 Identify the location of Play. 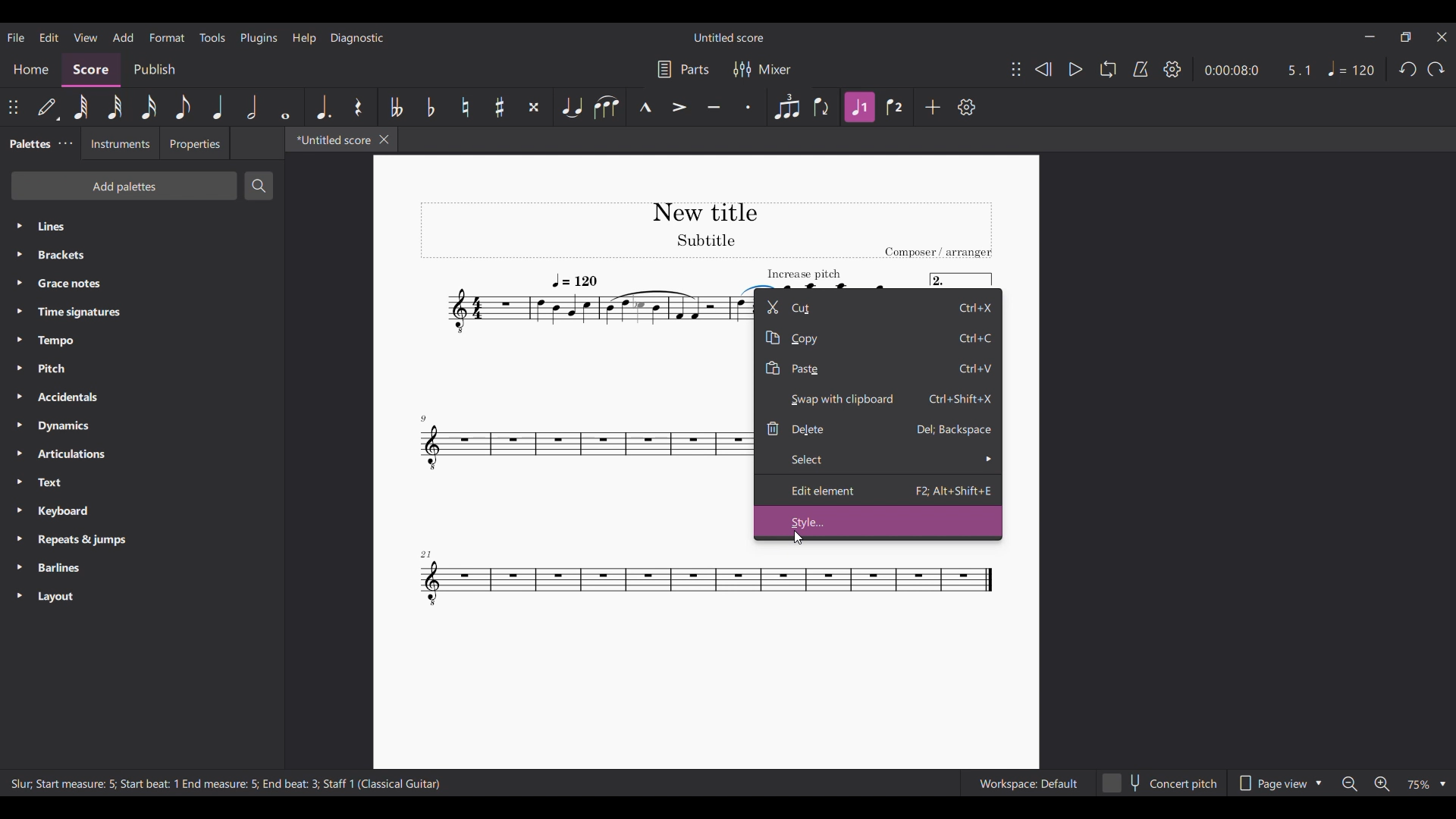
(1069, 69).